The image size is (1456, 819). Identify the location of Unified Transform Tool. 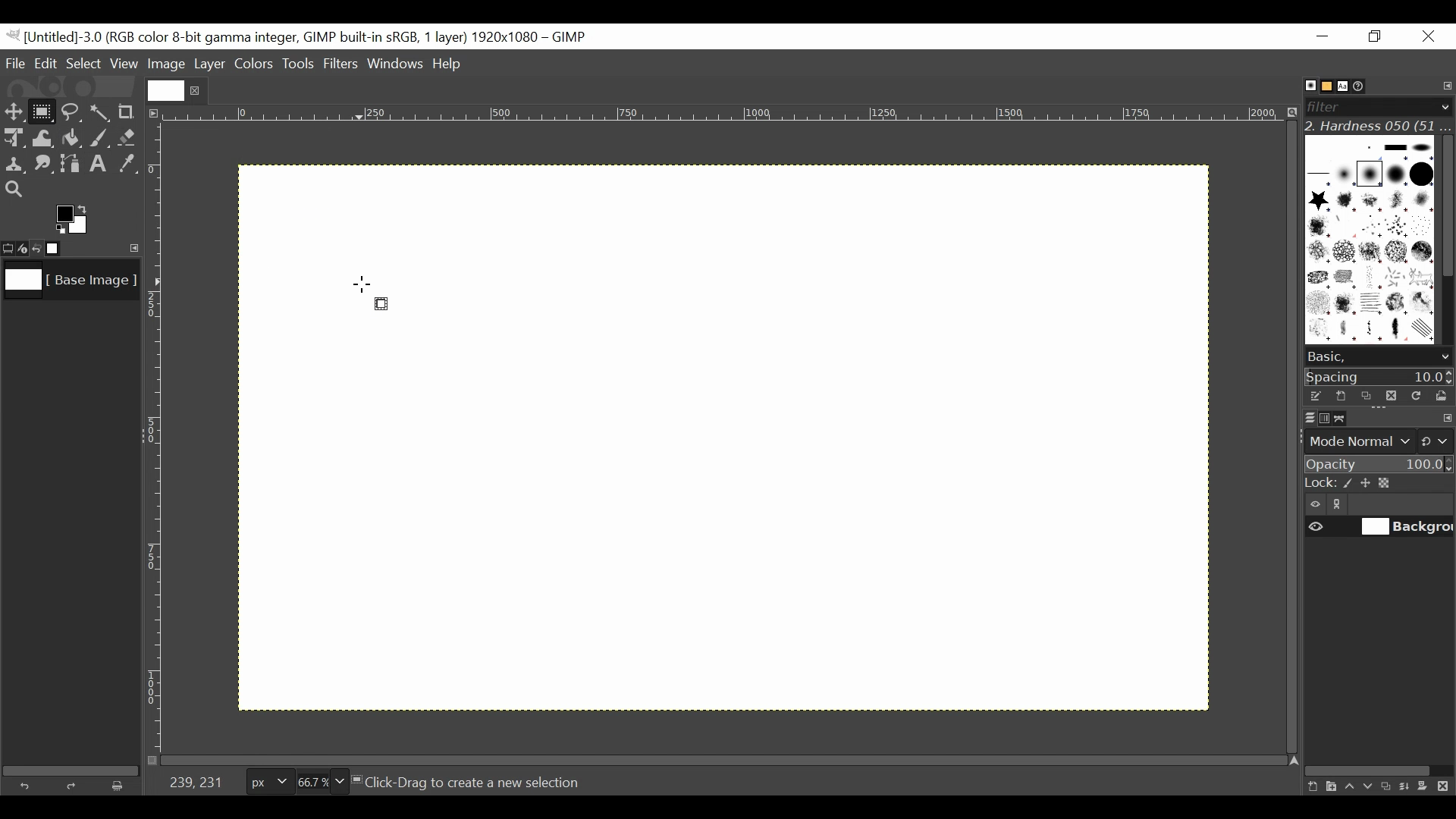
(13, 137).